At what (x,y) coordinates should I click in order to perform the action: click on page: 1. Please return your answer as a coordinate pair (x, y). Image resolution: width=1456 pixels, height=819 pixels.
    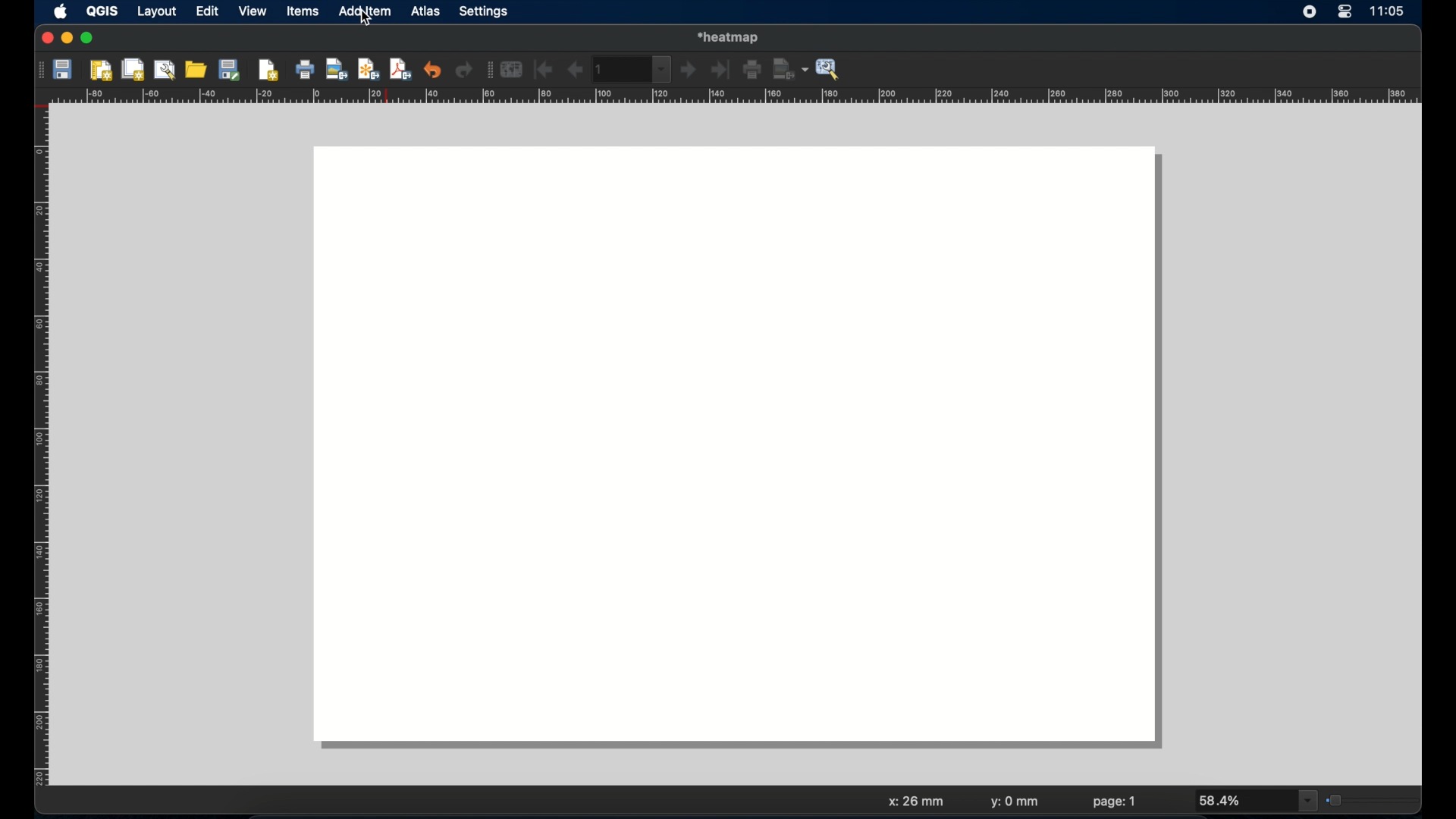
    Looking at the image, I should click on (1115, 802).